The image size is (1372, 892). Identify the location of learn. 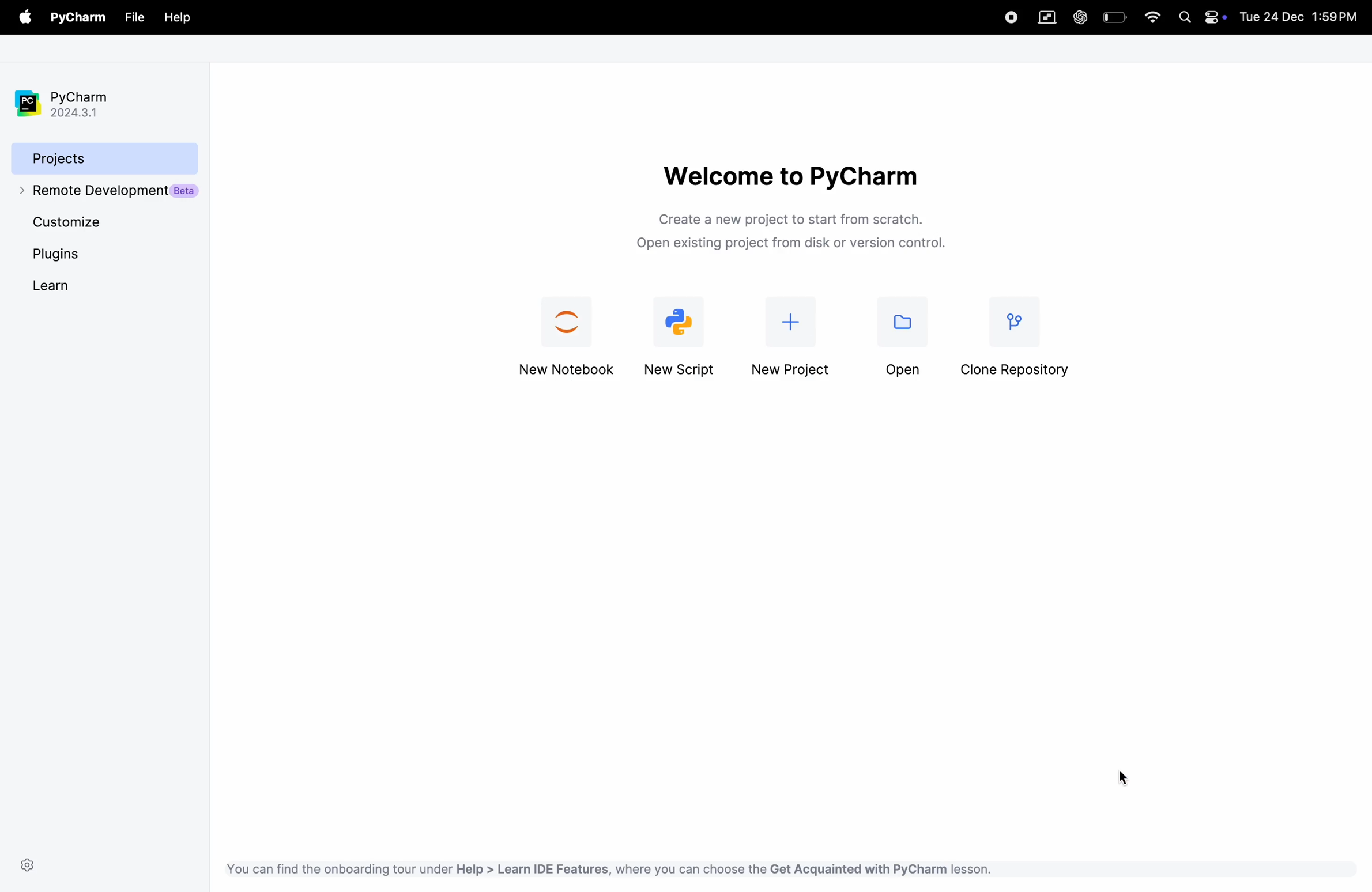
(50, 286).